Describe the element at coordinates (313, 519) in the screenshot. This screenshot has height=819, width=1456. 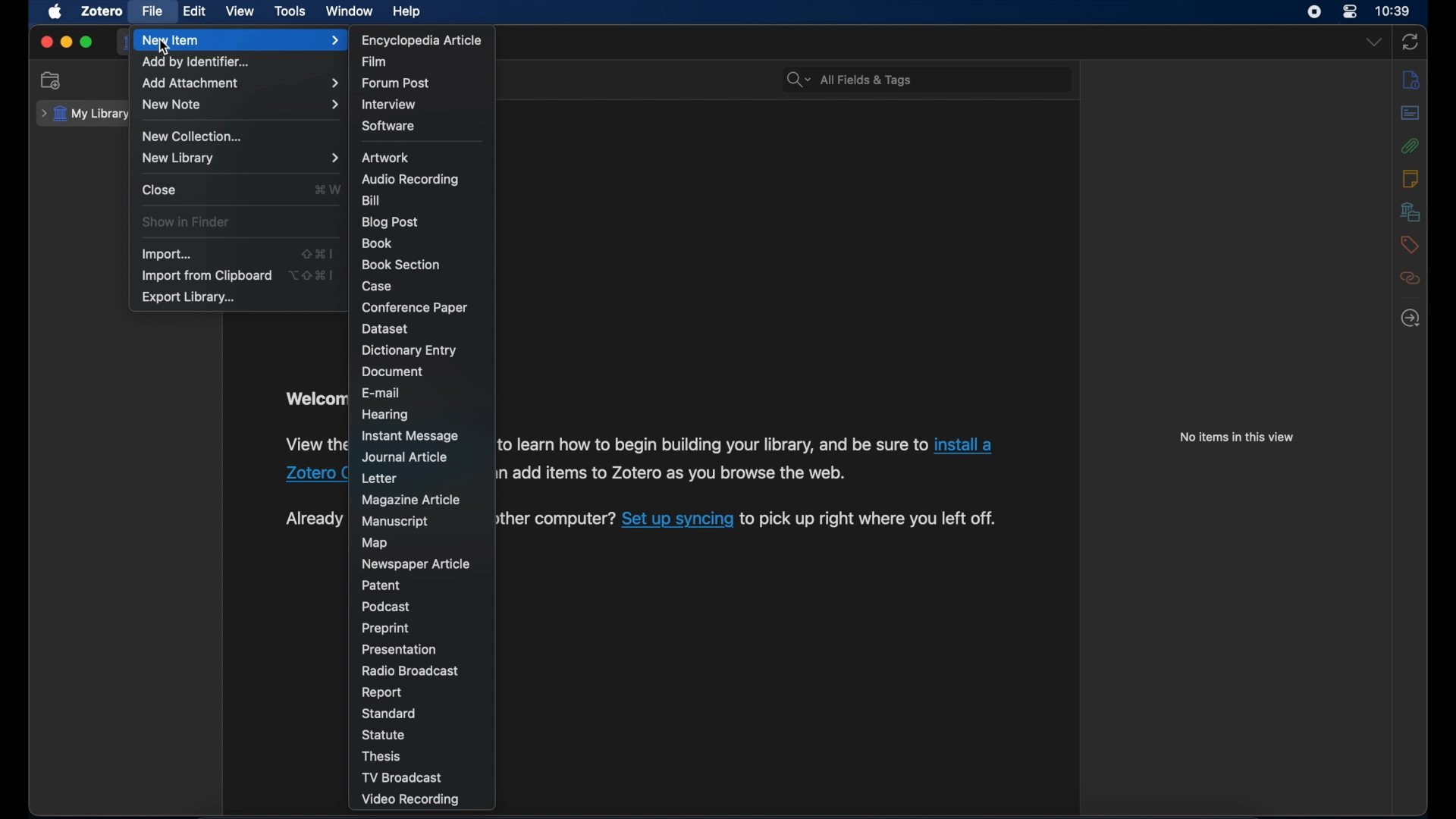
I see `Already` at that location.